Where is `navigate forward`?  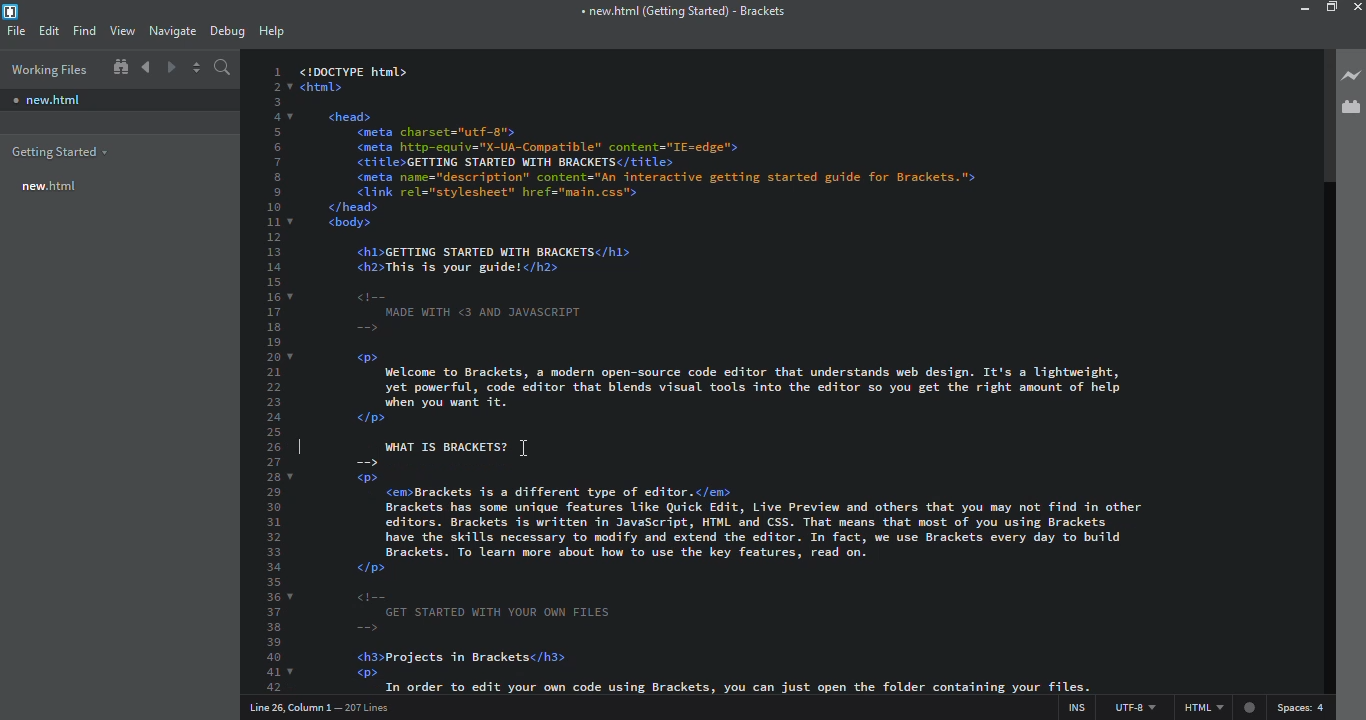
navigate forward is located at coordinates (171, 67).